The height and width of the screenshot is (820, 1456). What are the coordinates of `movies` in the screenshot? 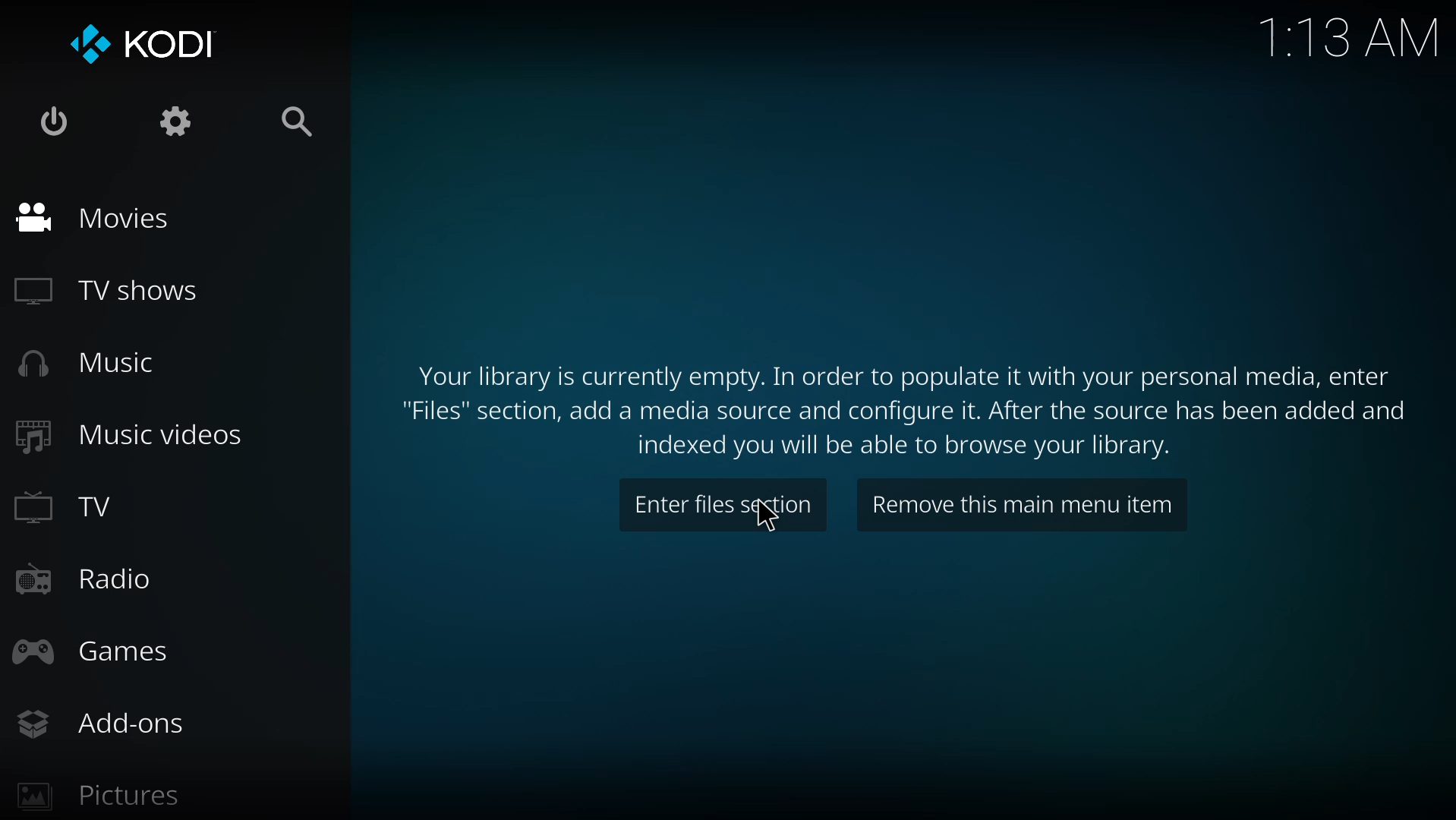 It's located at (99, 219).